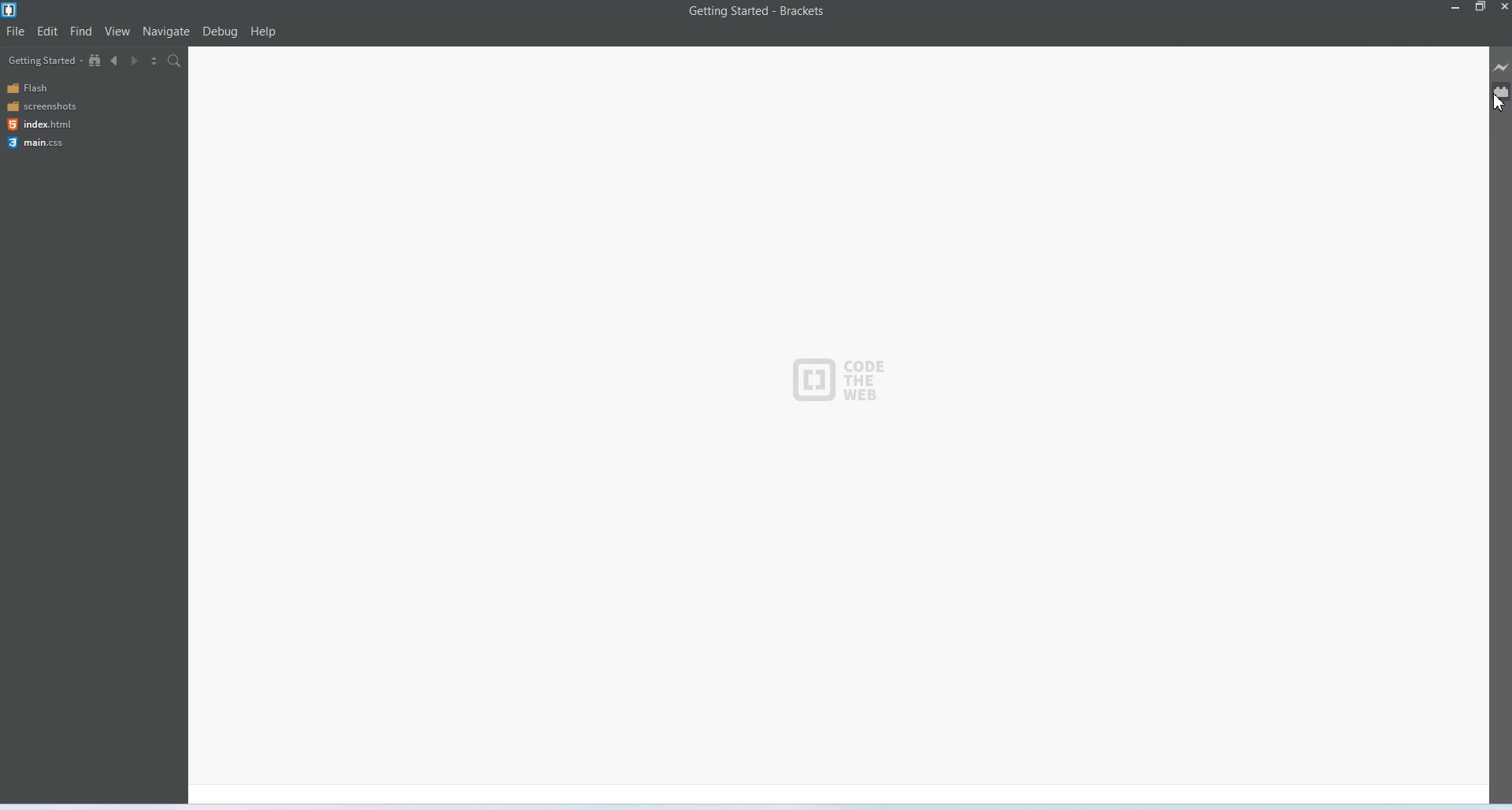 Image resolution: width=1512 pixels, height=810 pixels. Describe the element at coordinates (1503, 7) in the screenshot. I see `Close` at that location.